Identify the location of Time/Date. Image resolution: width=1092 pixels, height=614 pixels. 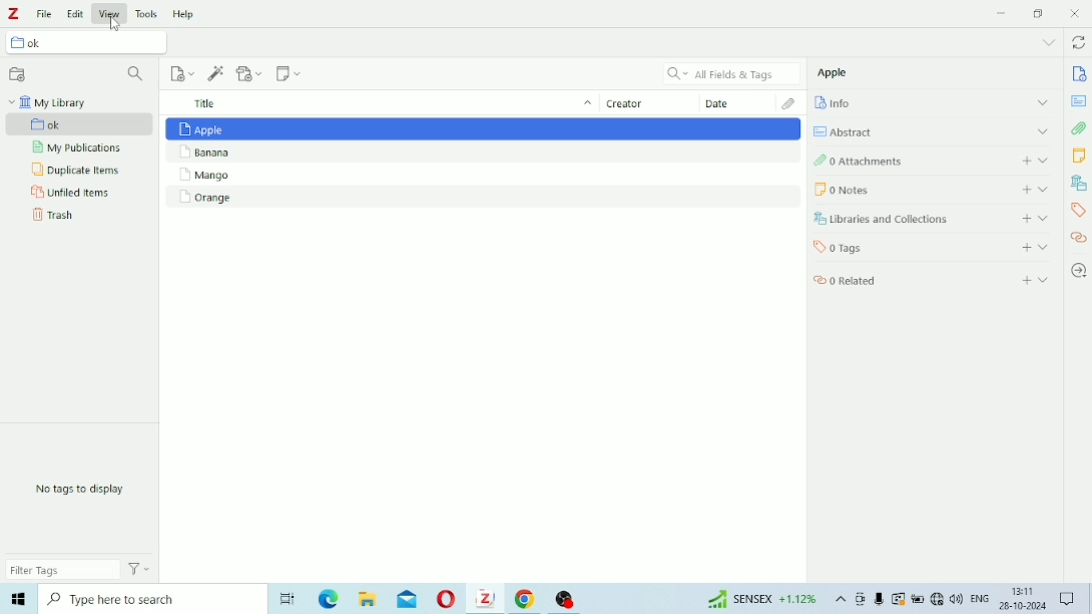
(1020, 600).